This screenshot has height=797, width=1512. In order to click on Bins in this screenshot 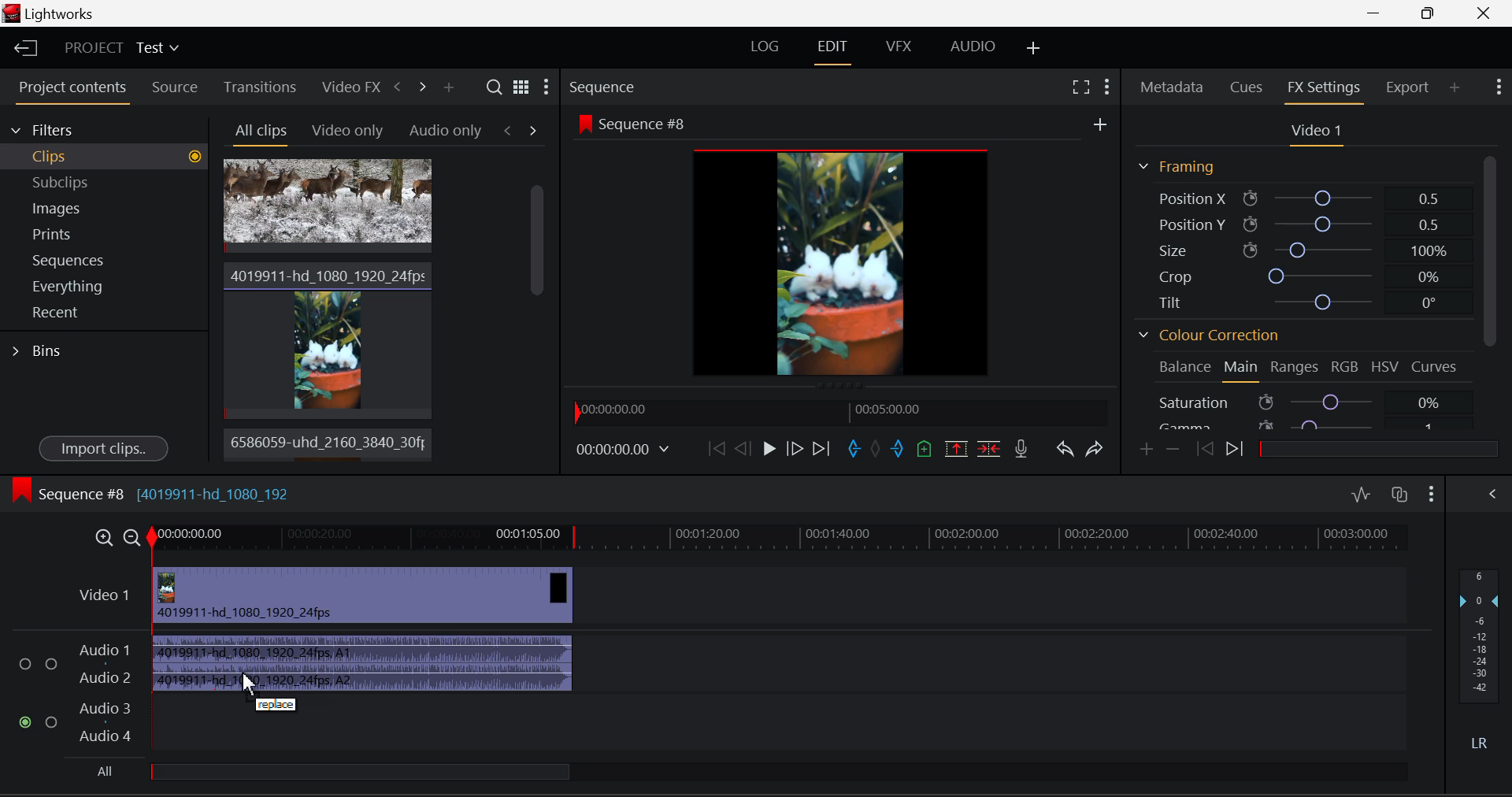, I will do `click(38, 353)`.